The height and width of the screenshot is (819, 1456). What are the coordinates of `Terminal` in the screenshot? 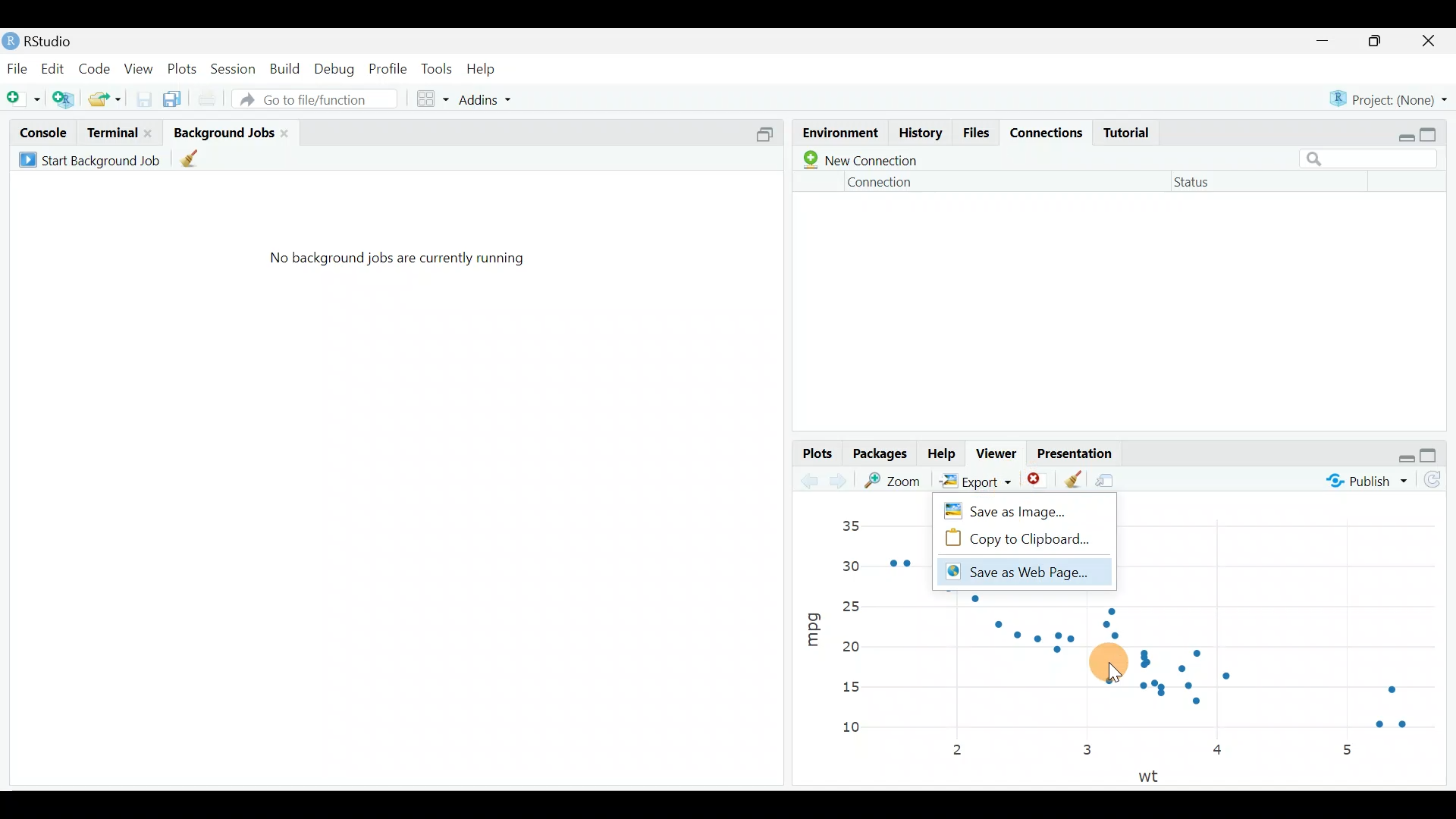 It's located at (111, 131).